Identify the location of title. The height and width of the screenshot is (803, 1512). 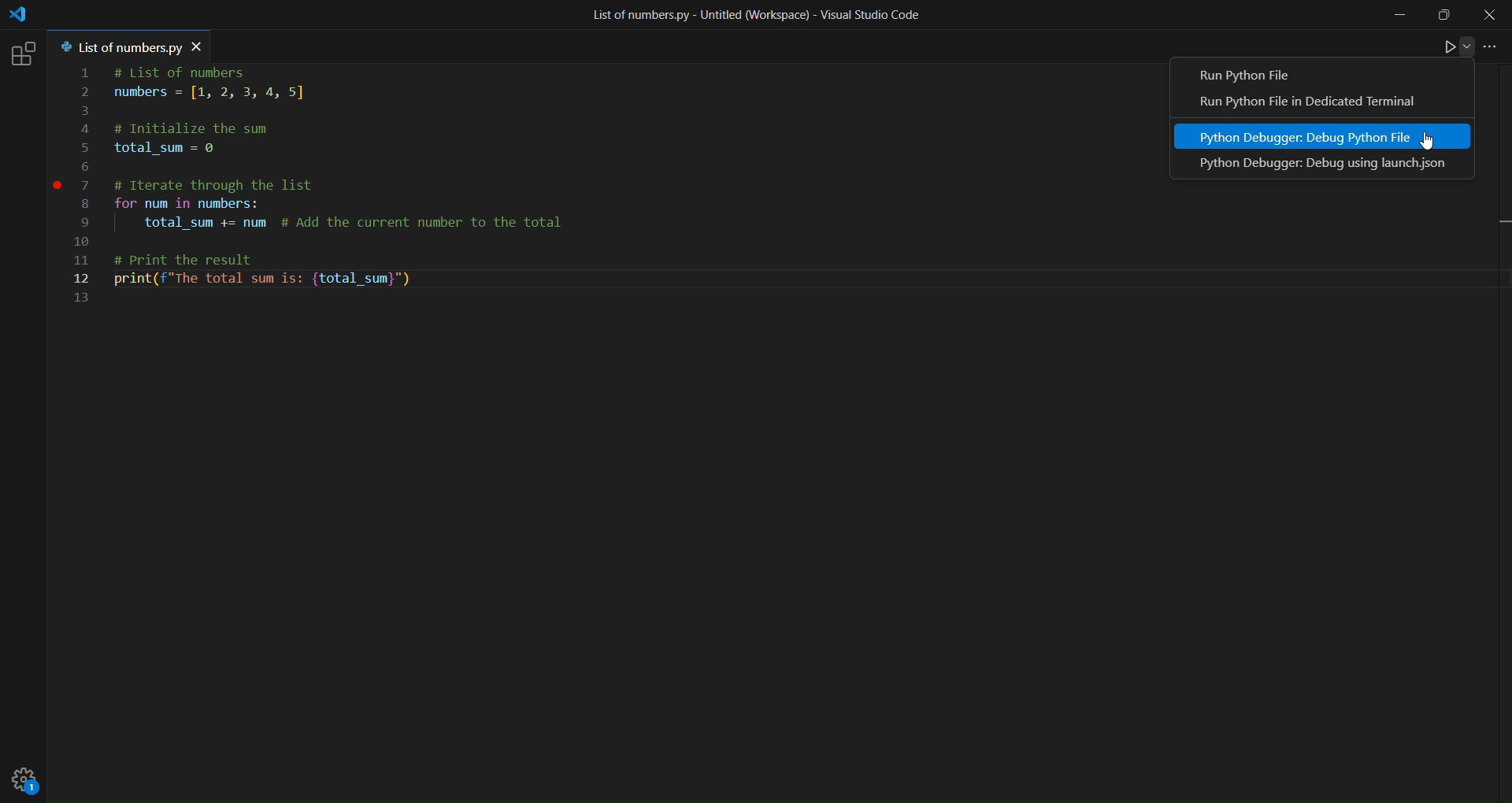
(752, 14).